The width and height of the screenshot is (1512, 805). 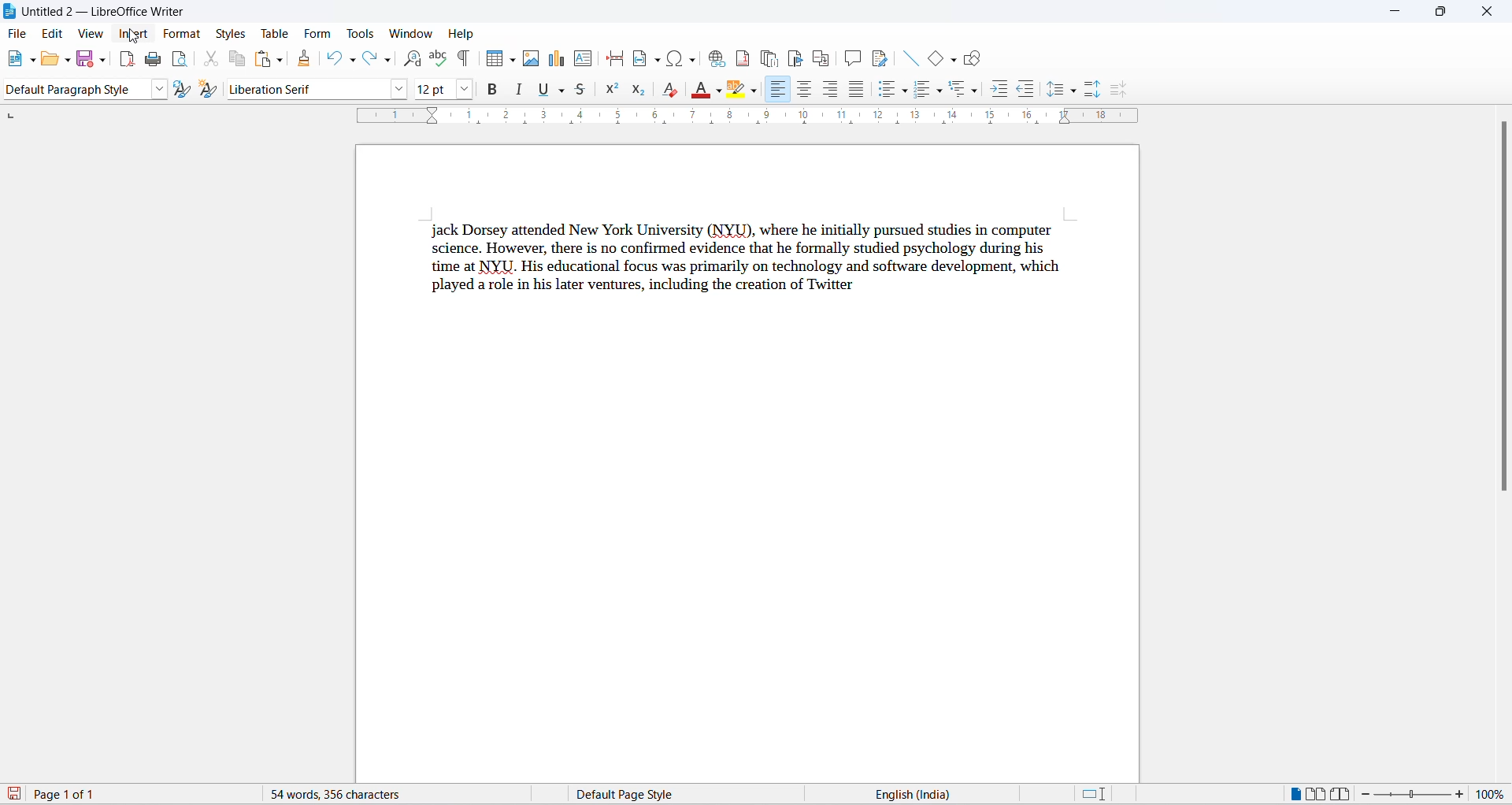 I want to click on vertical scroll bar, so click(x=1504, y=316).